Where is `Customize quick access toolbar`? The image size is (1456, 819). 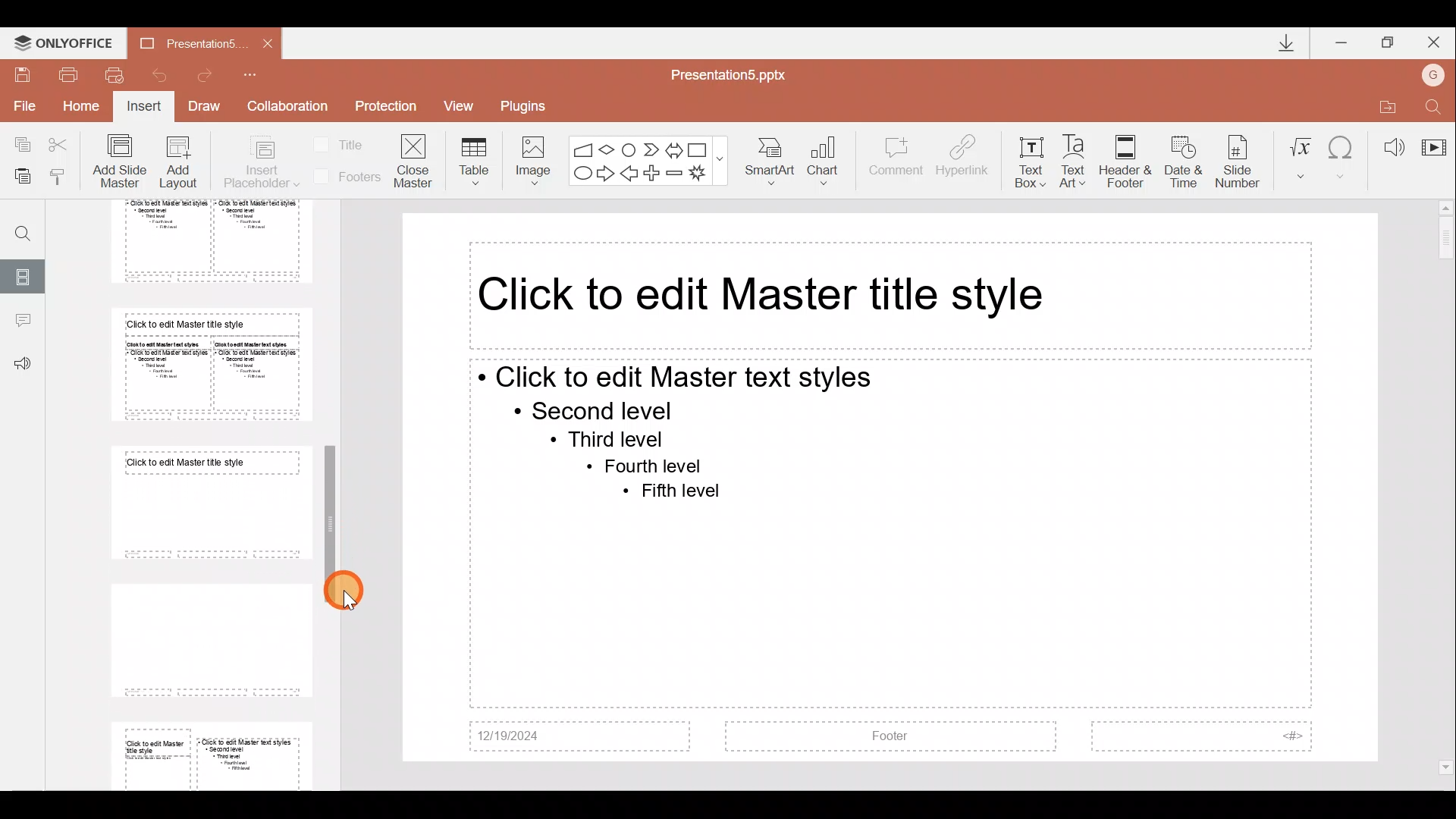 Customize quick access toolbar is located at coordinates (260, 74).